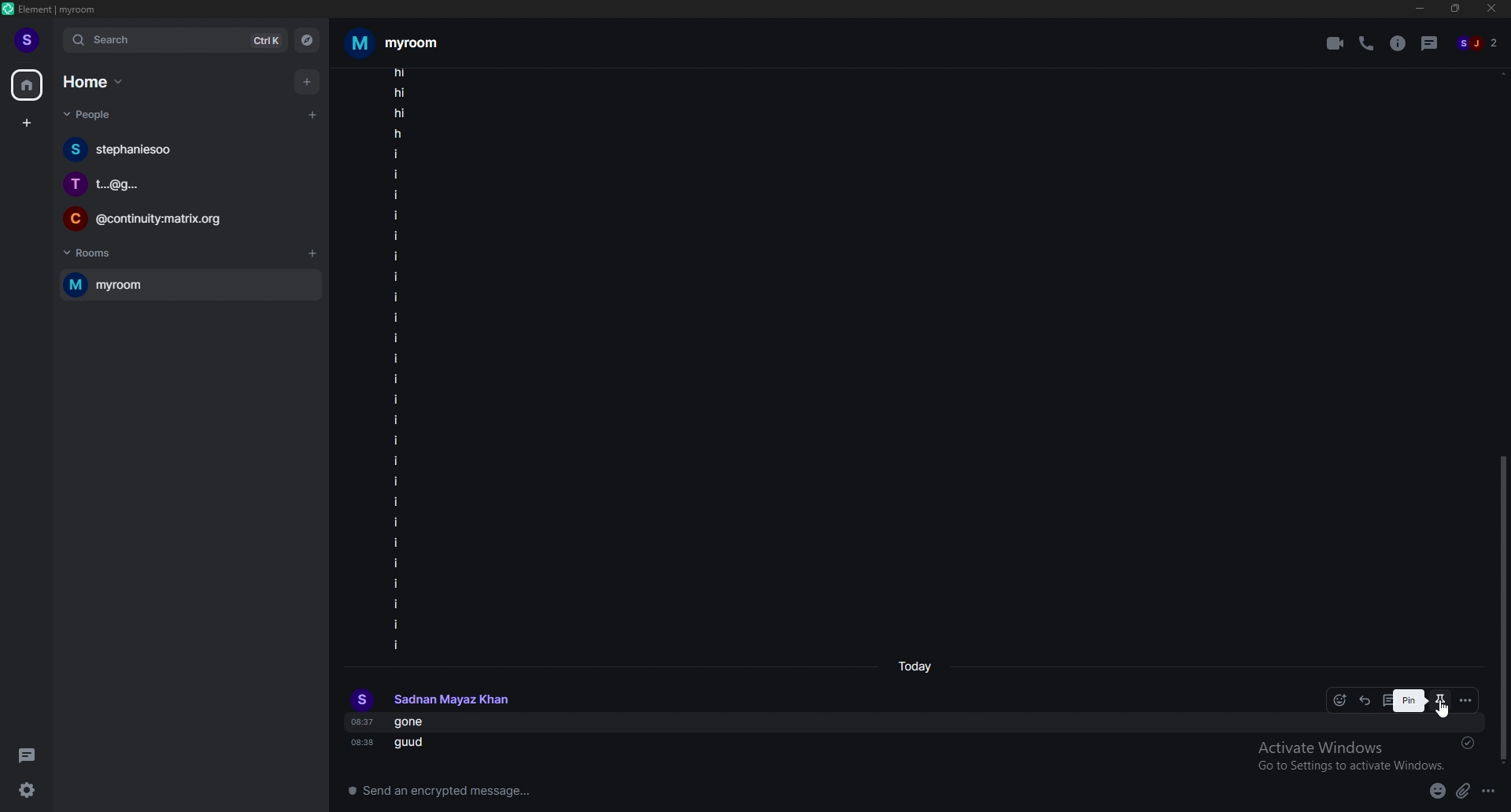  What do you see at coordinates (1419, 9) in the screenshot?
I see `minimize` at bounding box center [1419, 9].